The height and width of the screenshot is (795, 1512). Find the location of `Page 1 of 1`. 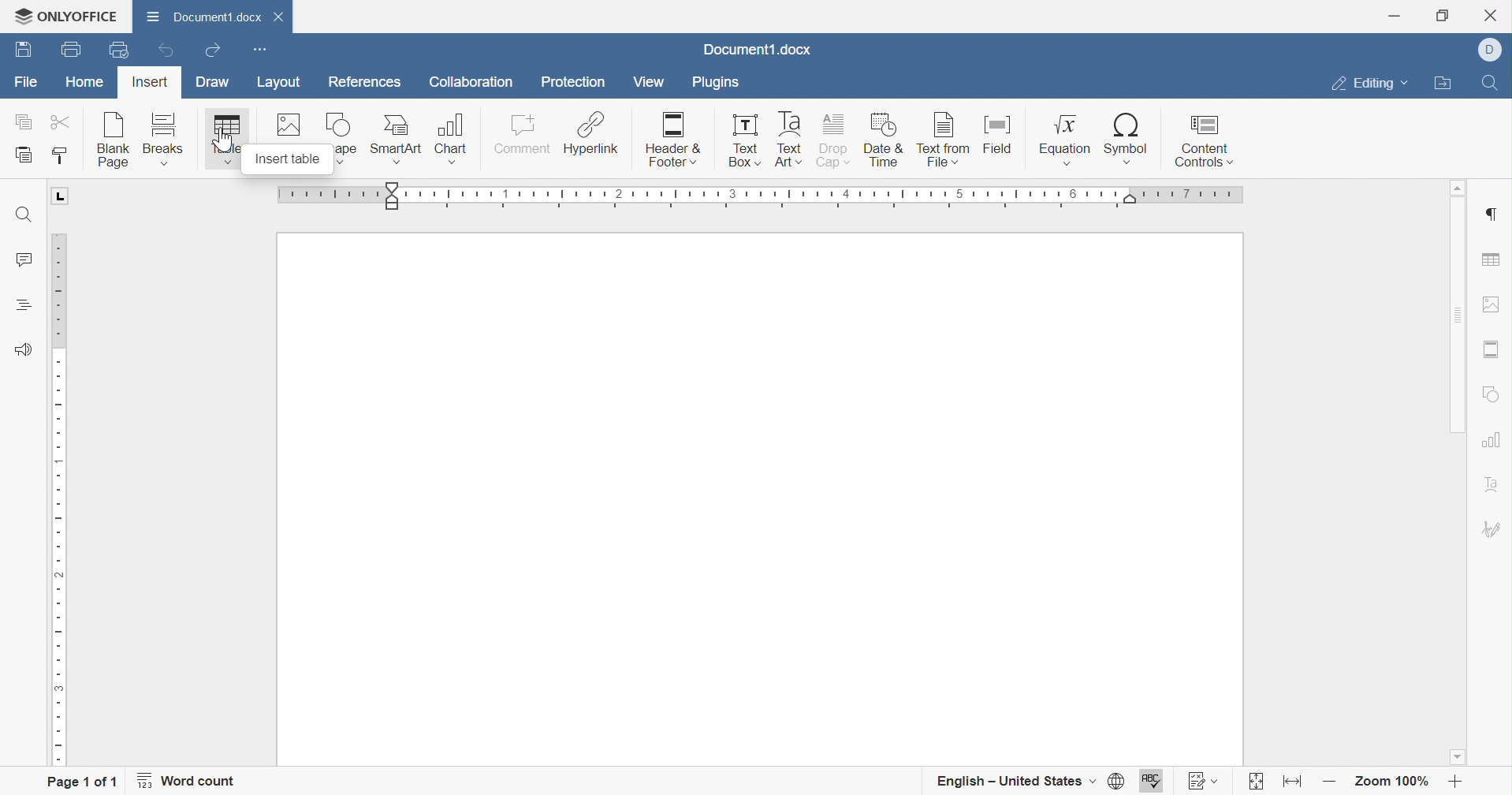

Page 1 of 1 is located at coordinates (83, 781).